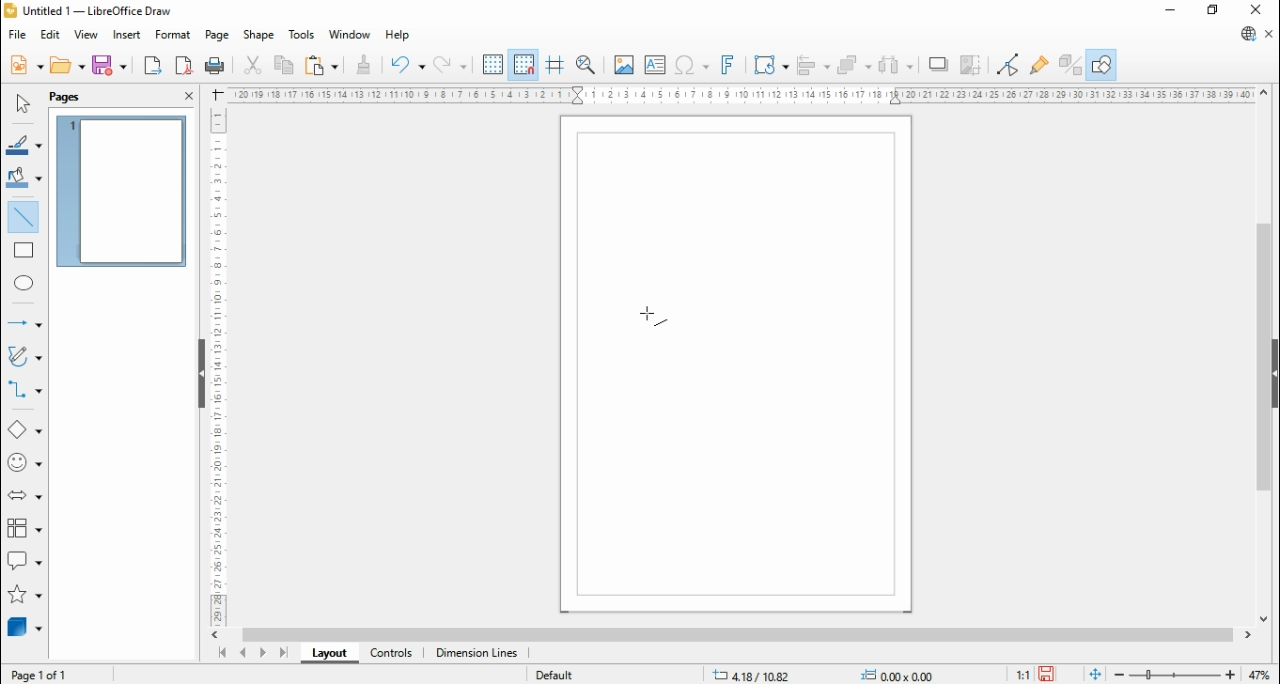 The image size is (1280, 684). Describe the element at coordinates (690, 65) in the screenshot. I see `insert special character` at that location.